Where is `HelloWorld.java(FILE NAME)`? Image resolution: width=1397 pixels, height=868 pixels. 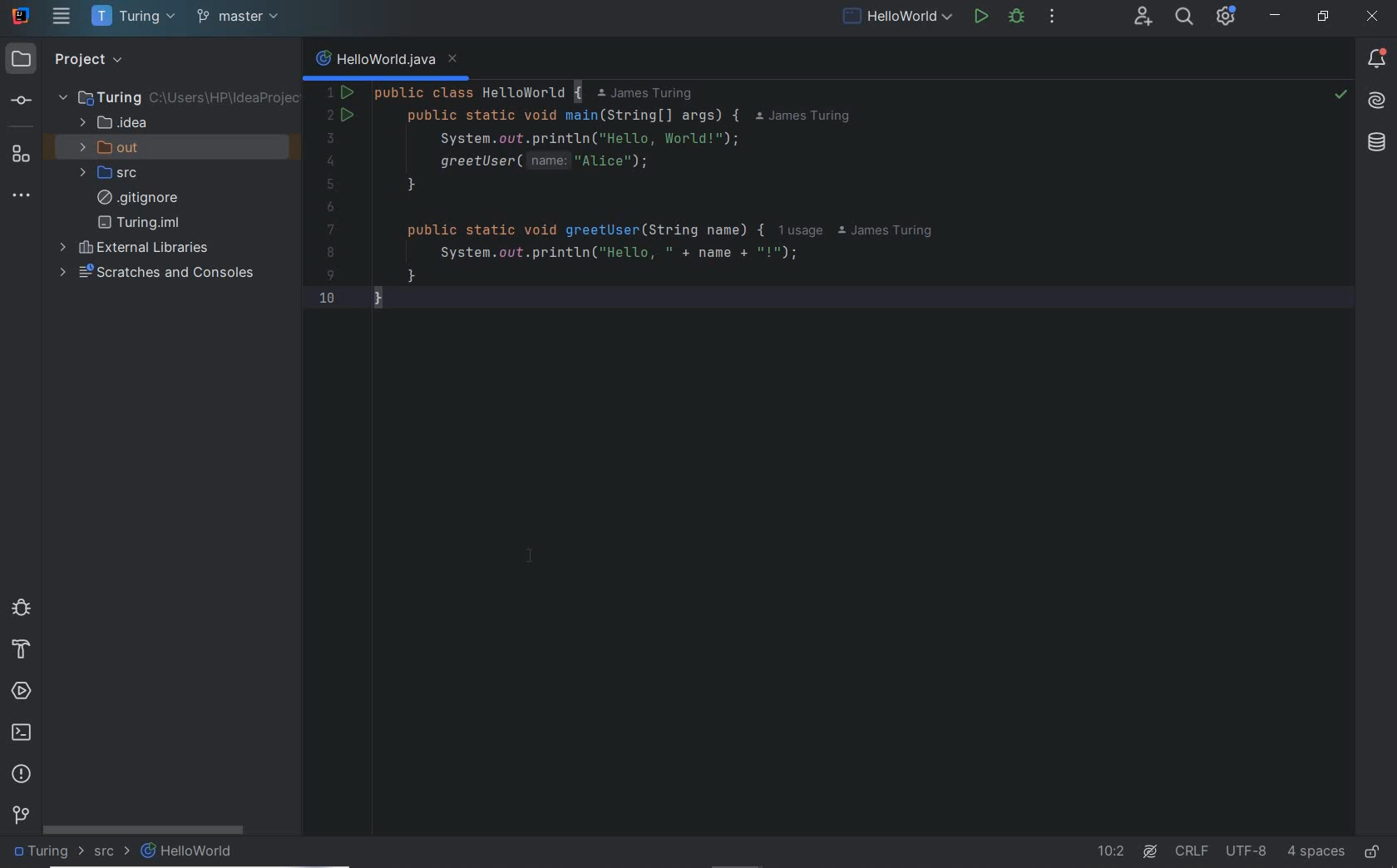 HelloWorld.java(FILE NAME) is located at coordinates (388, 62).